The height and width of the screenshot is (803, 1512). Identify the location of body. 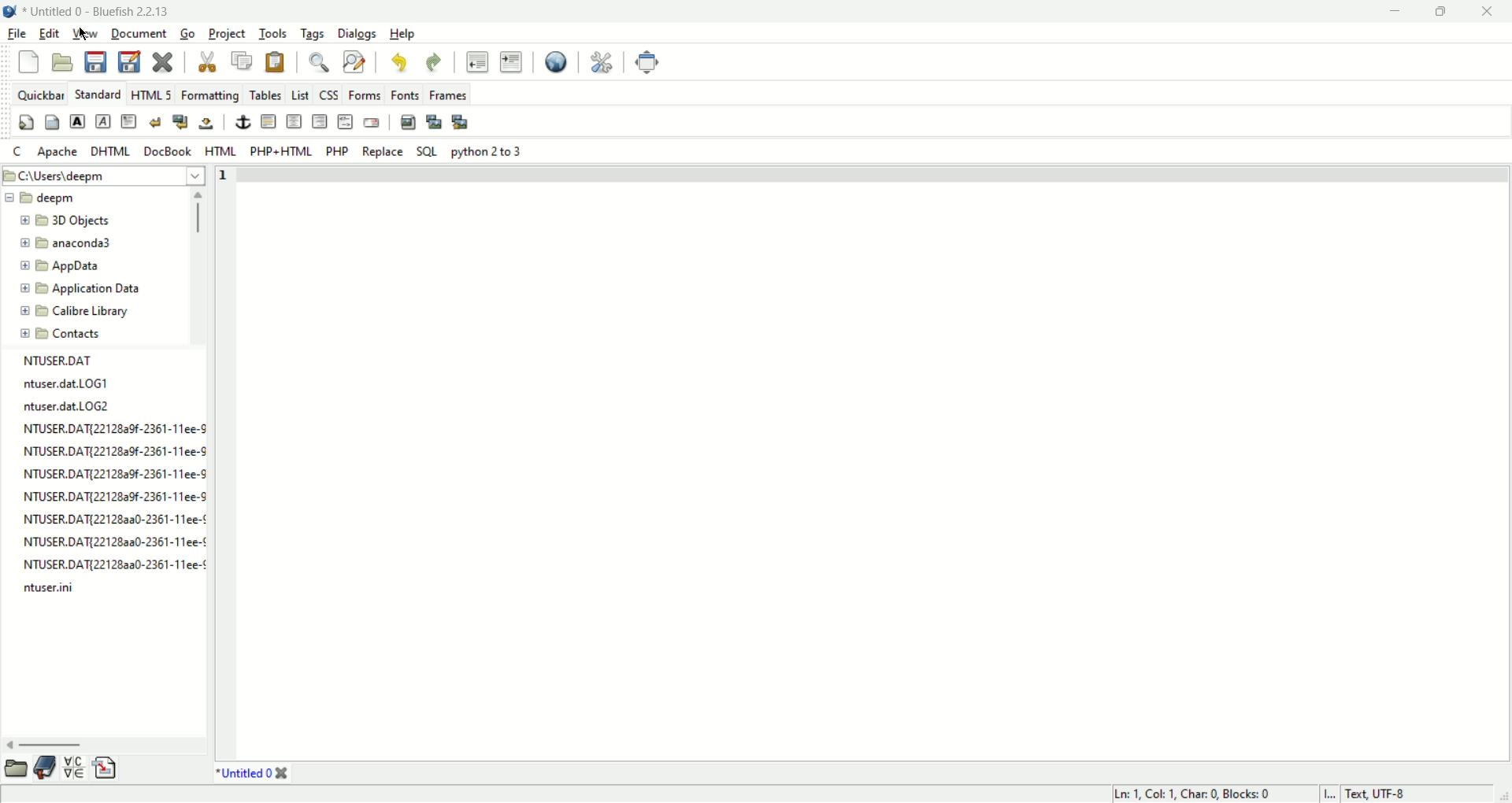
(51, 123).